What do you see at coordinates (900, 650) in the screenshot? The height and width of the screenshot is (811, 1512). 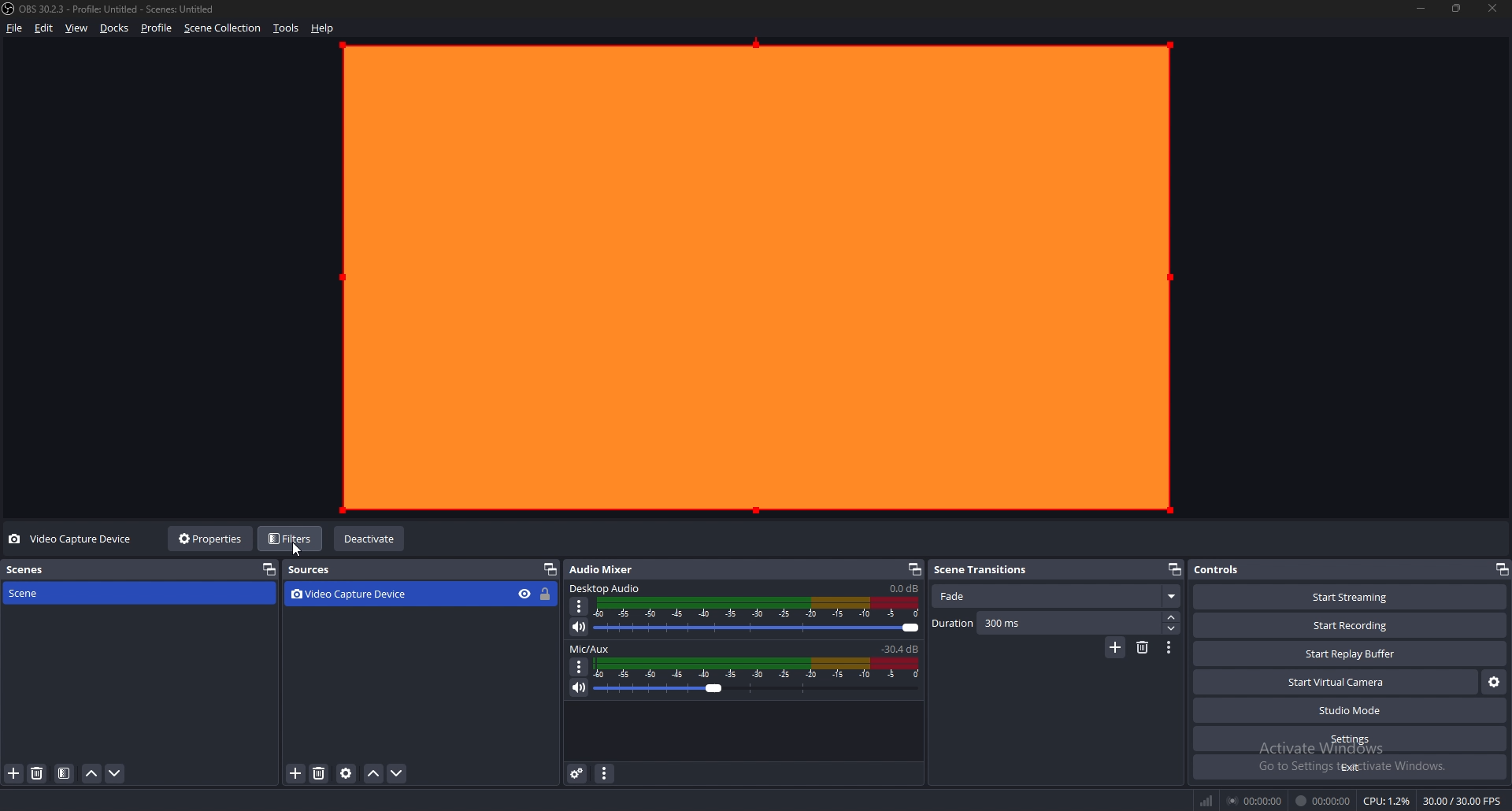 I see `-30.4db` at bounding box center [900, 650].